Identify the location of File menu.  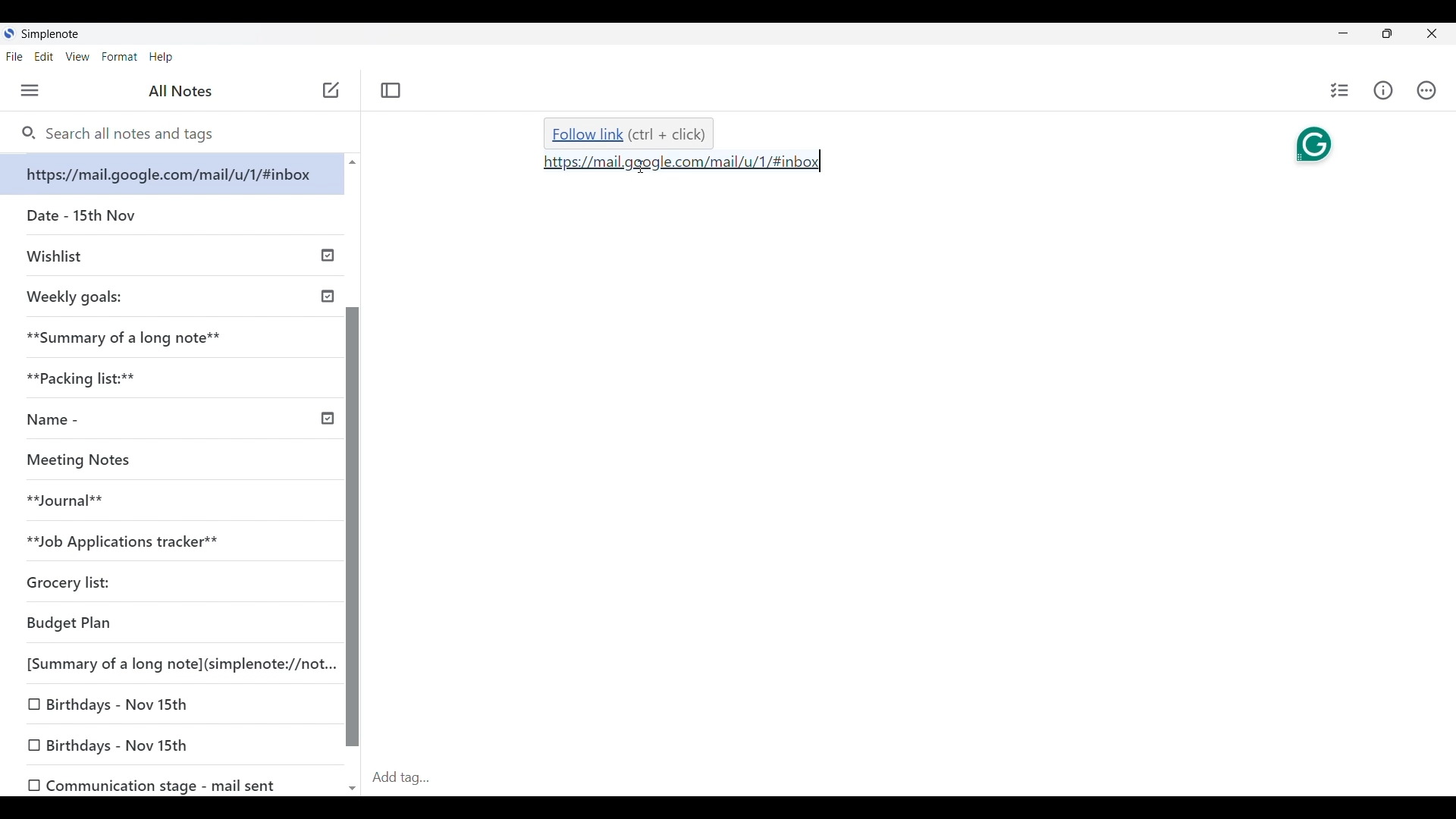
(14, 57).